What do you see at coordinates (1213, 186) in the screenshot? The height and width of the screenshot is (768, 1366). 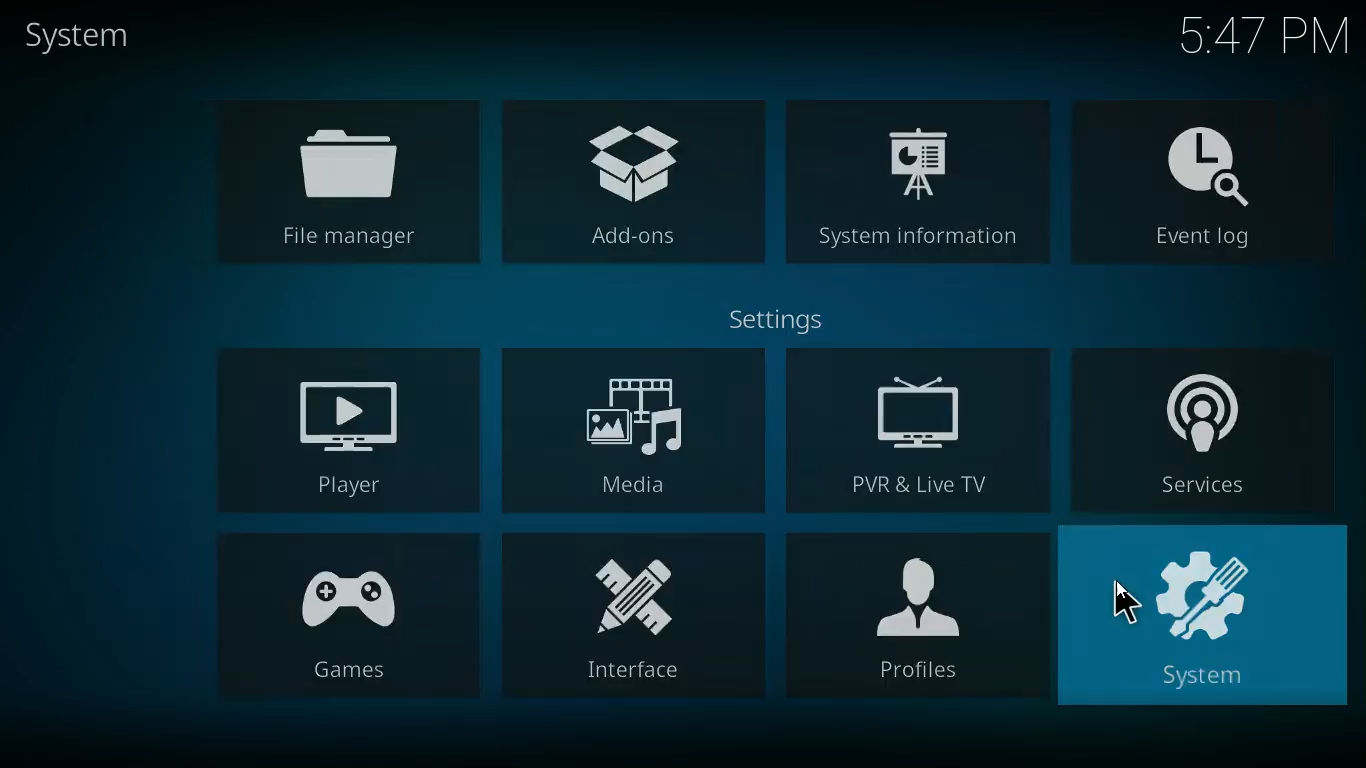 I see `event log` at bounding box center [1213, 186].